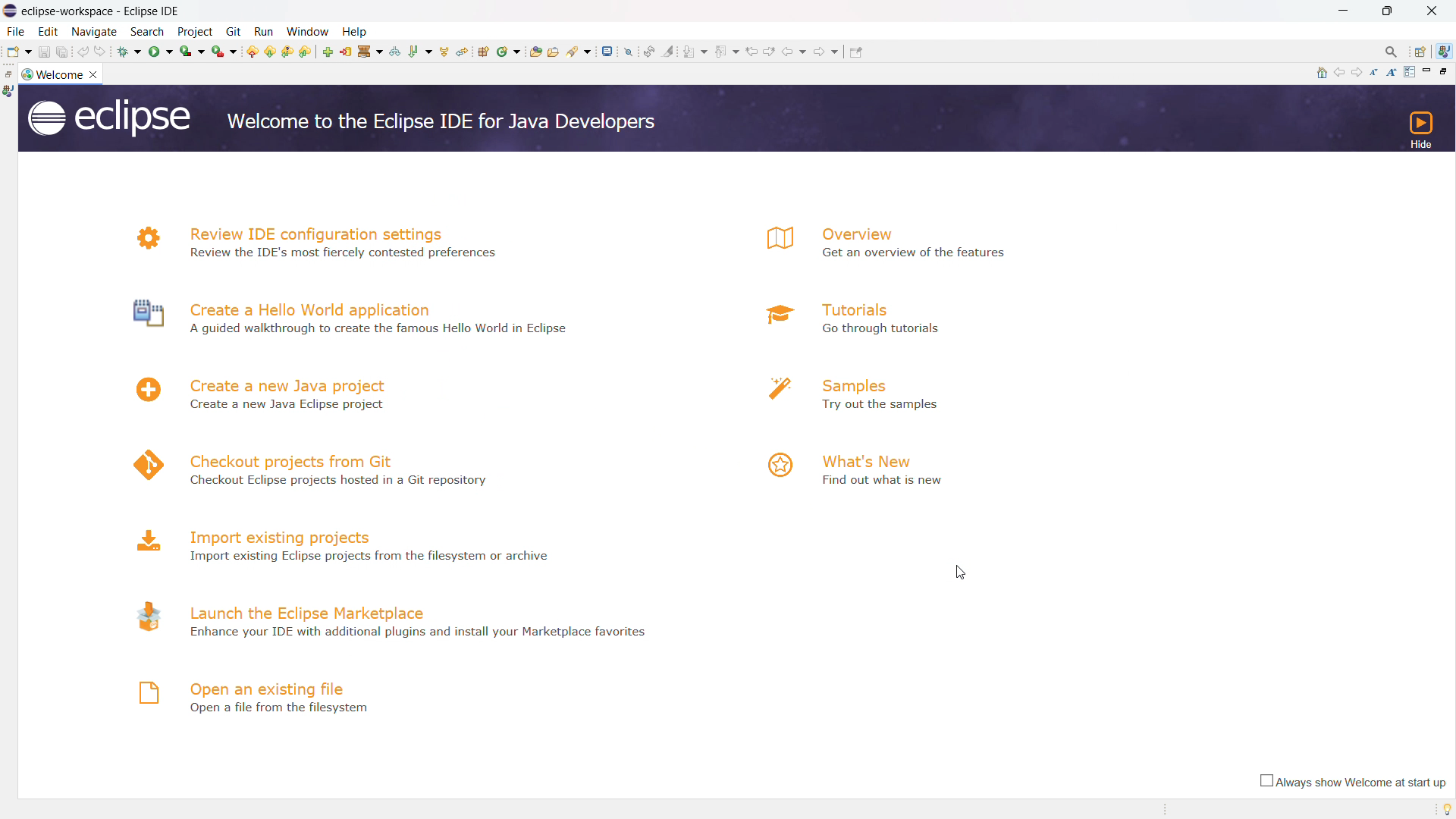 The image size is (1456, 819). Describe the element at coordinates (828, 55) in the screenshot. I see `forward` at that location.